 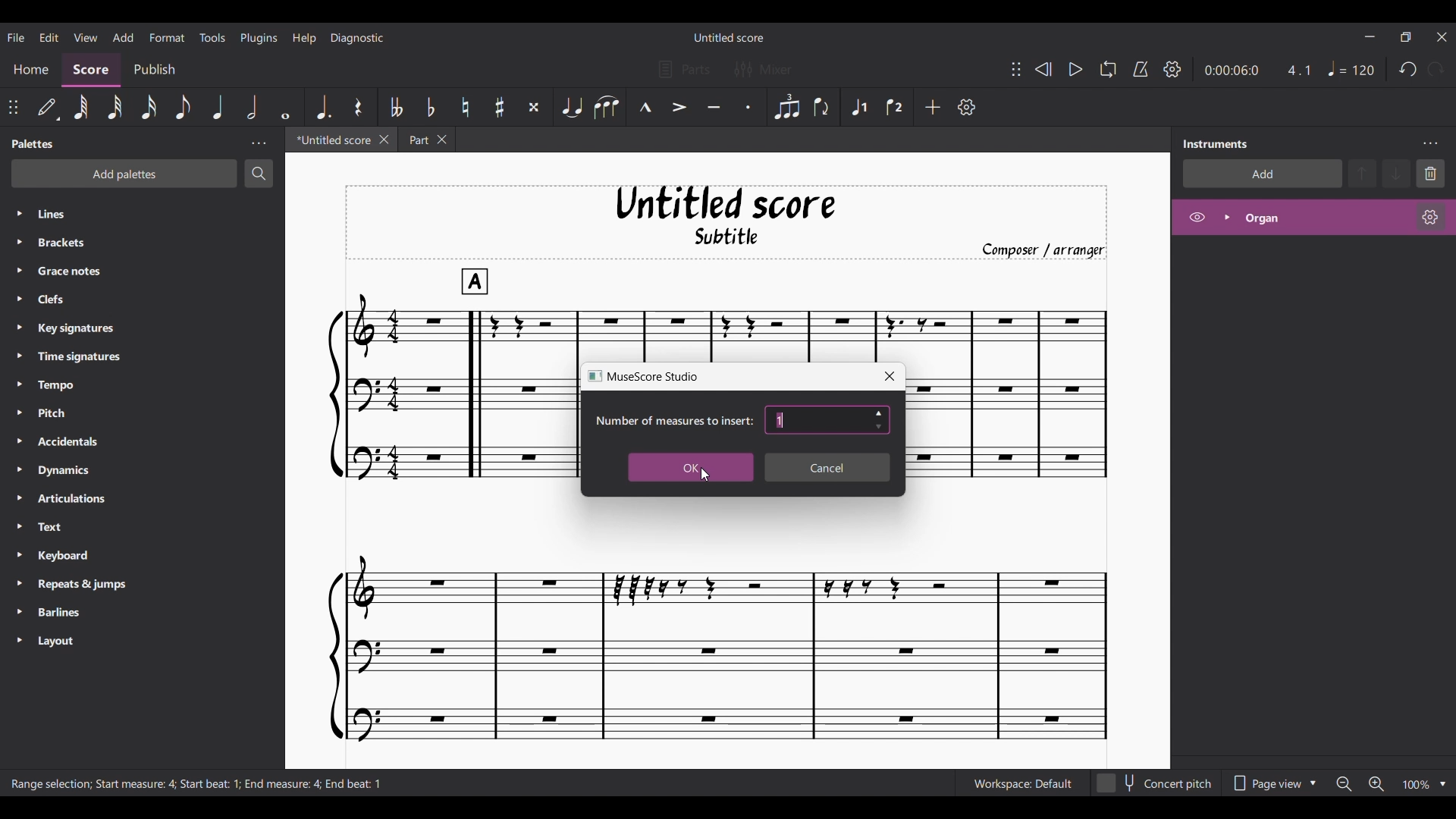 What do you see at coordinates (1370, 36) in the screenshot?
I see `Minimize` at bounding box center [1370, 36].